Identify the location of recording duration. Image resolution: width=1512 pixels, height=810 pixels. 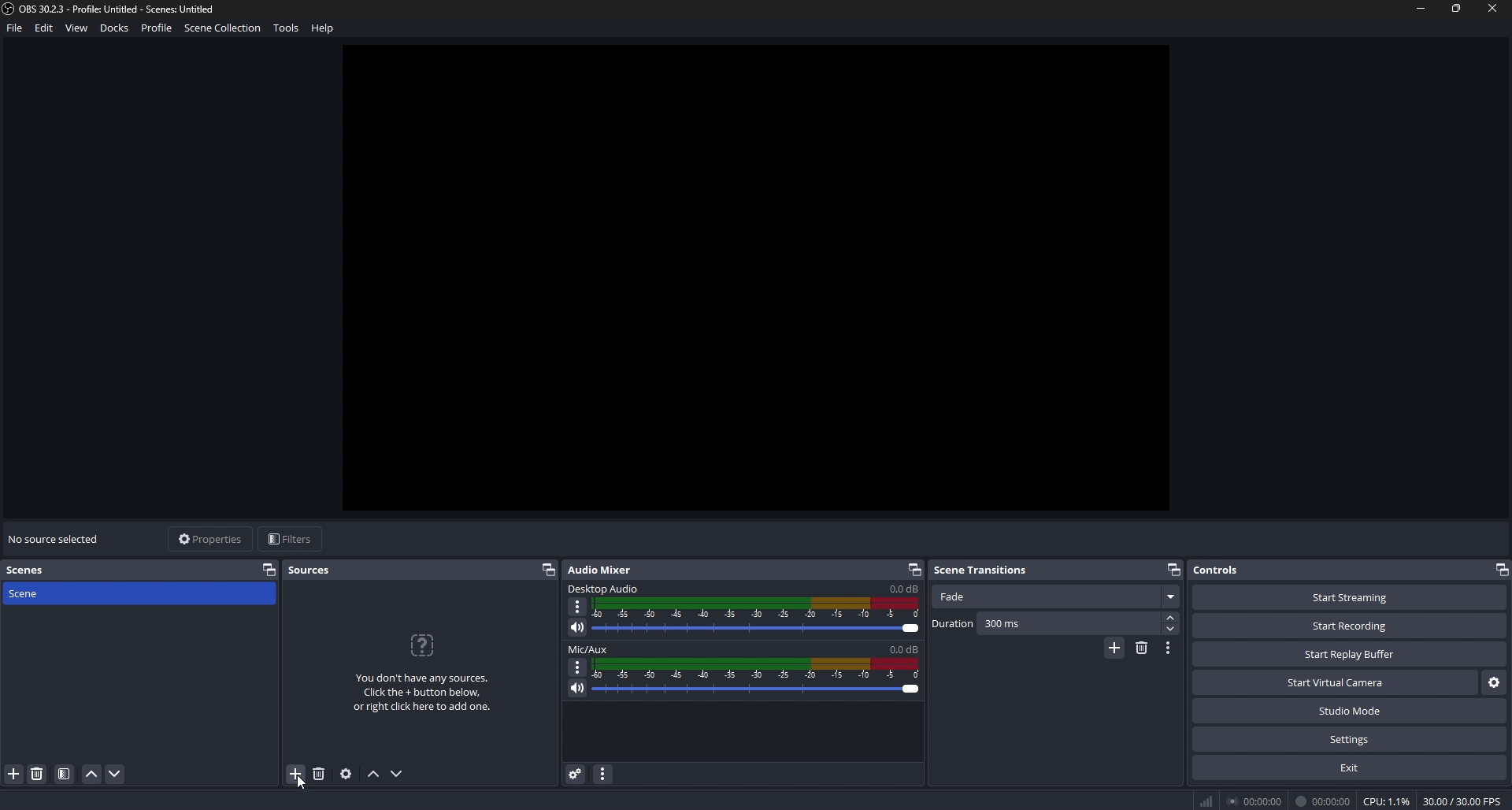
(1324, 802).